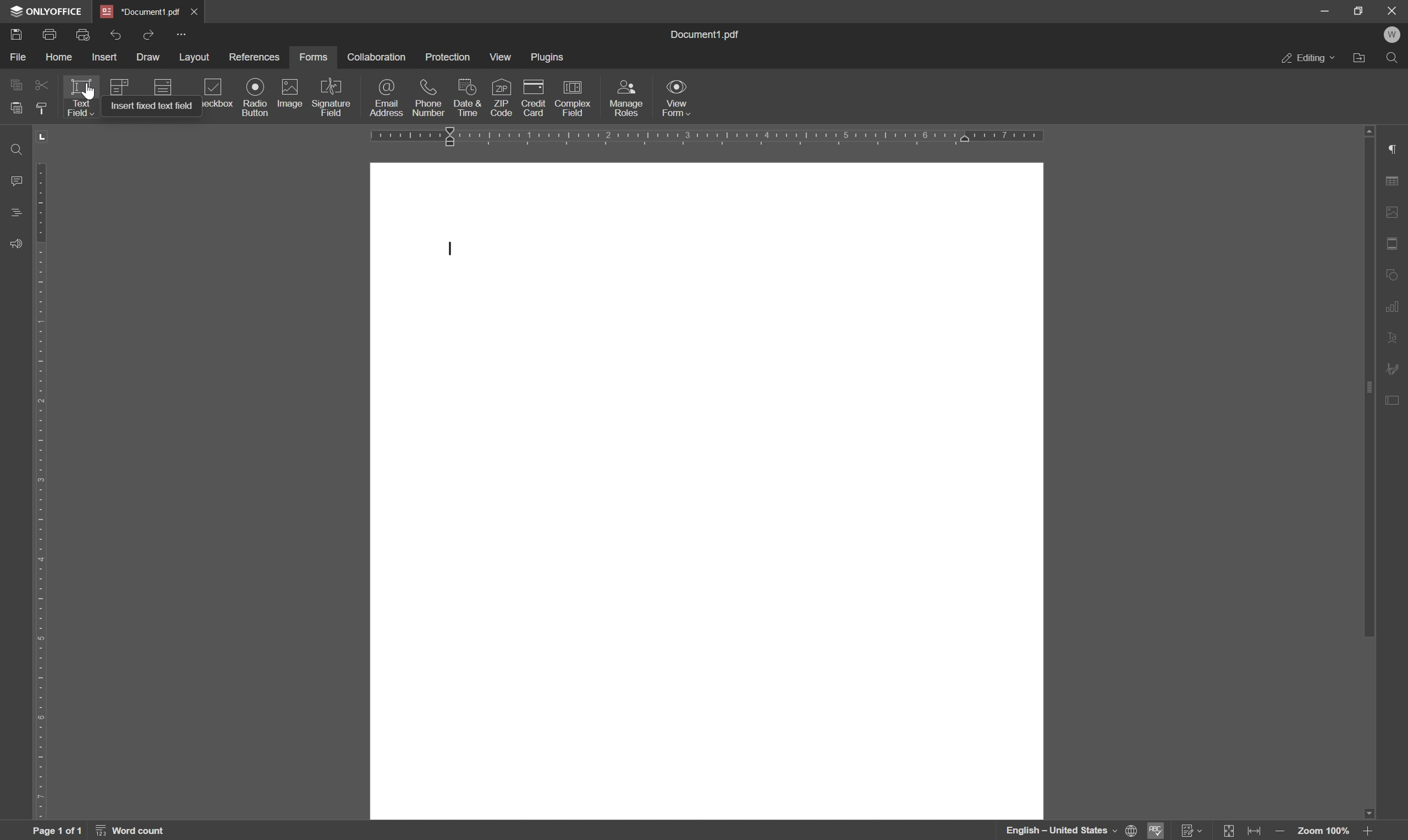 This screenshot has width=1408, height=840. Describe the element at coordinates (710, 35) in the screenshot. I see `` at that location.